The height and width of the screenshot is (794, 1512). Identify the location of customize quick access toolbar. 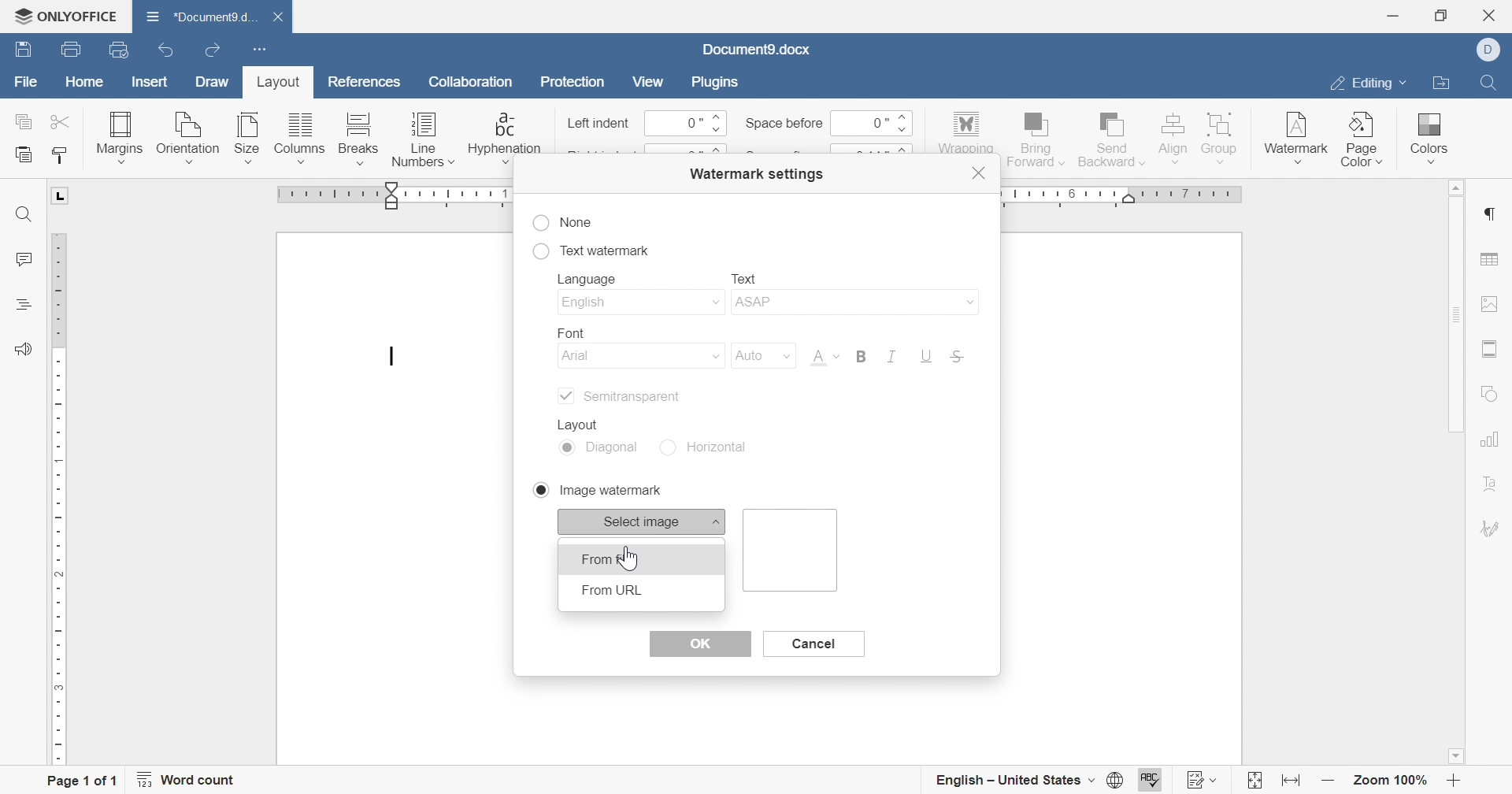
(256, 47).